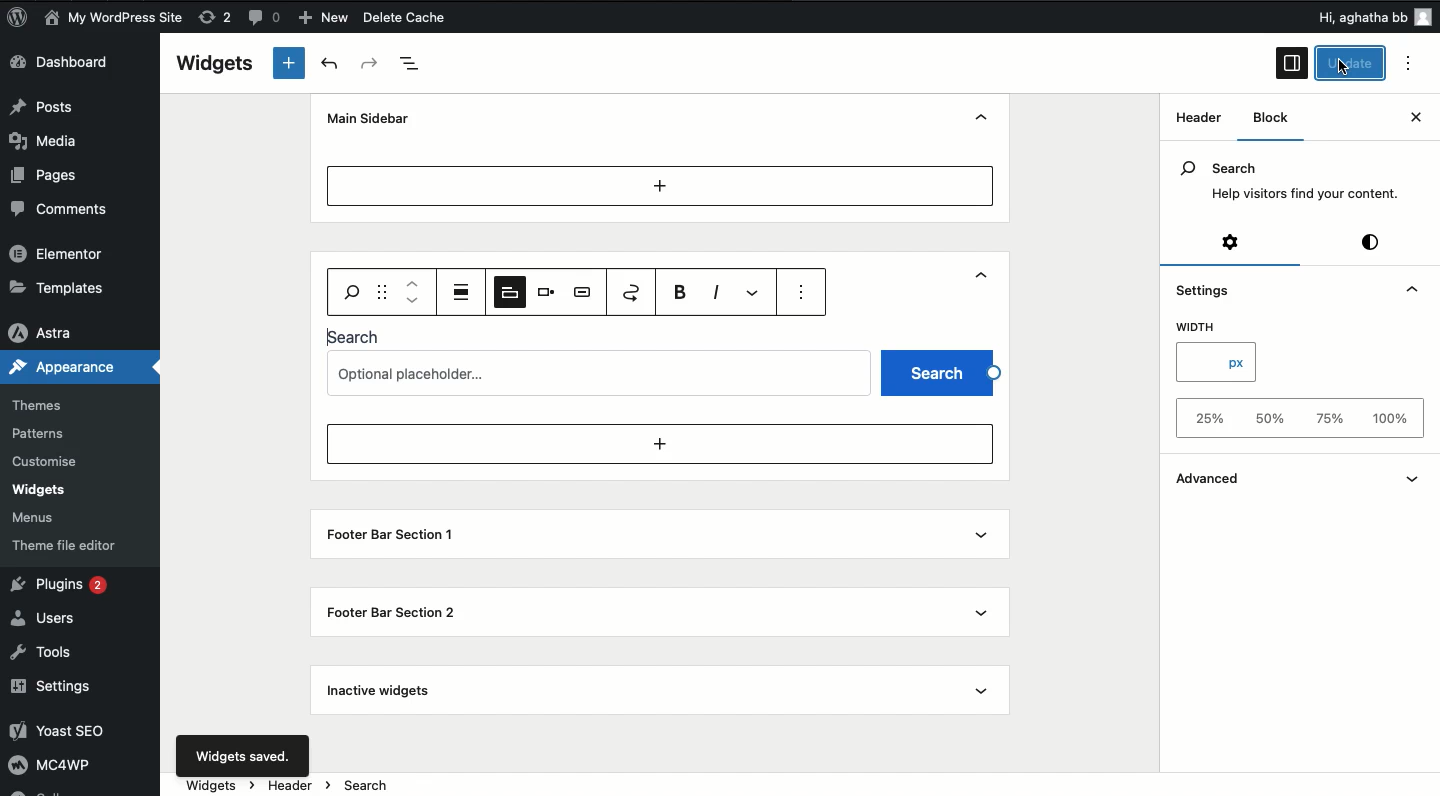 The image size is (1440, 796). What do you see at coordinates (50, 328) in the screenshot?
I see `Astra` at bounding box center [50, 328].